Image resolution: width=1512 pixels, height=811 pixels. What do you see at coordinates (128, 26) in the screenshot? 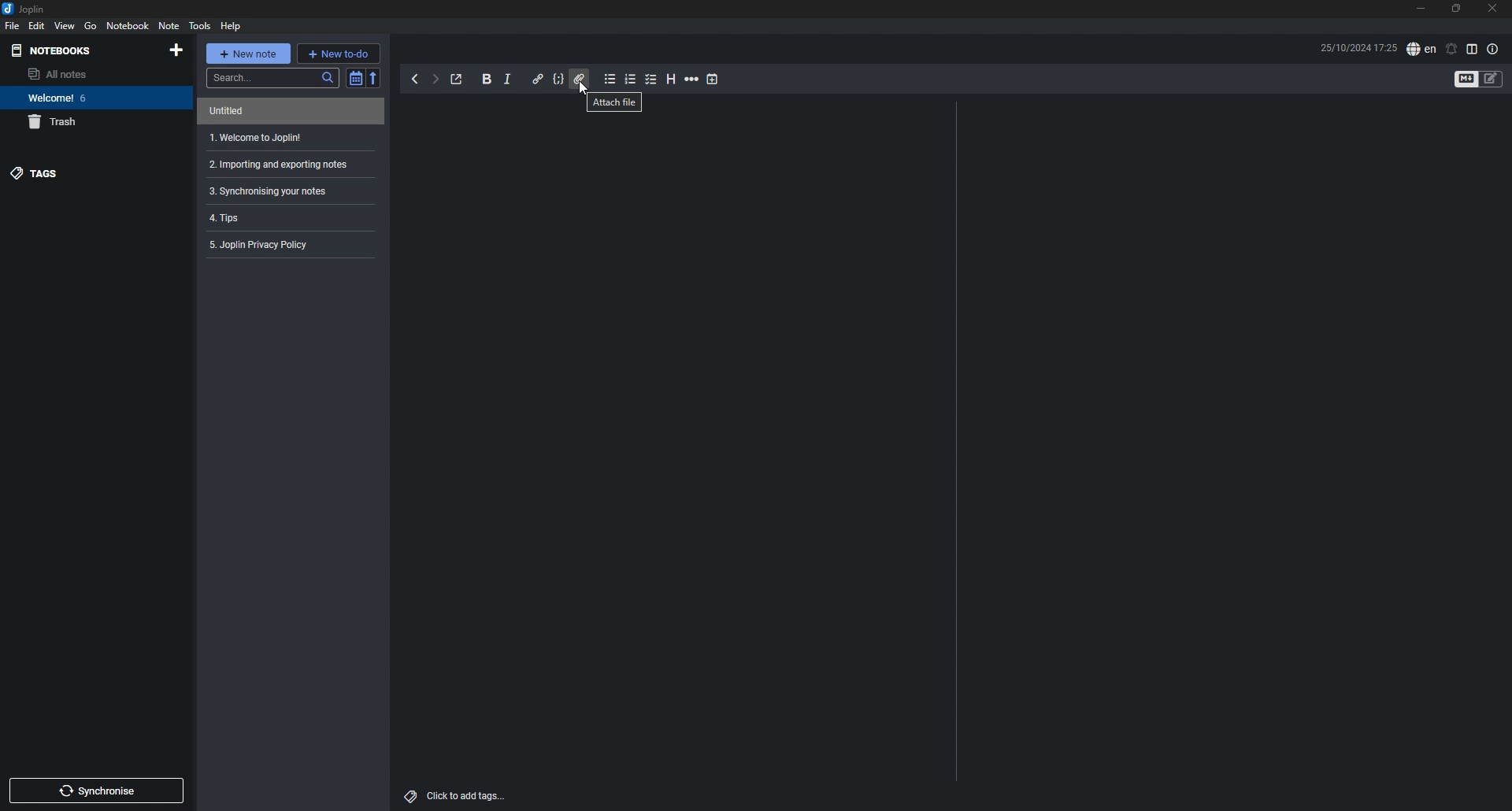
I see `notebook` at bounding box center [128, 26].